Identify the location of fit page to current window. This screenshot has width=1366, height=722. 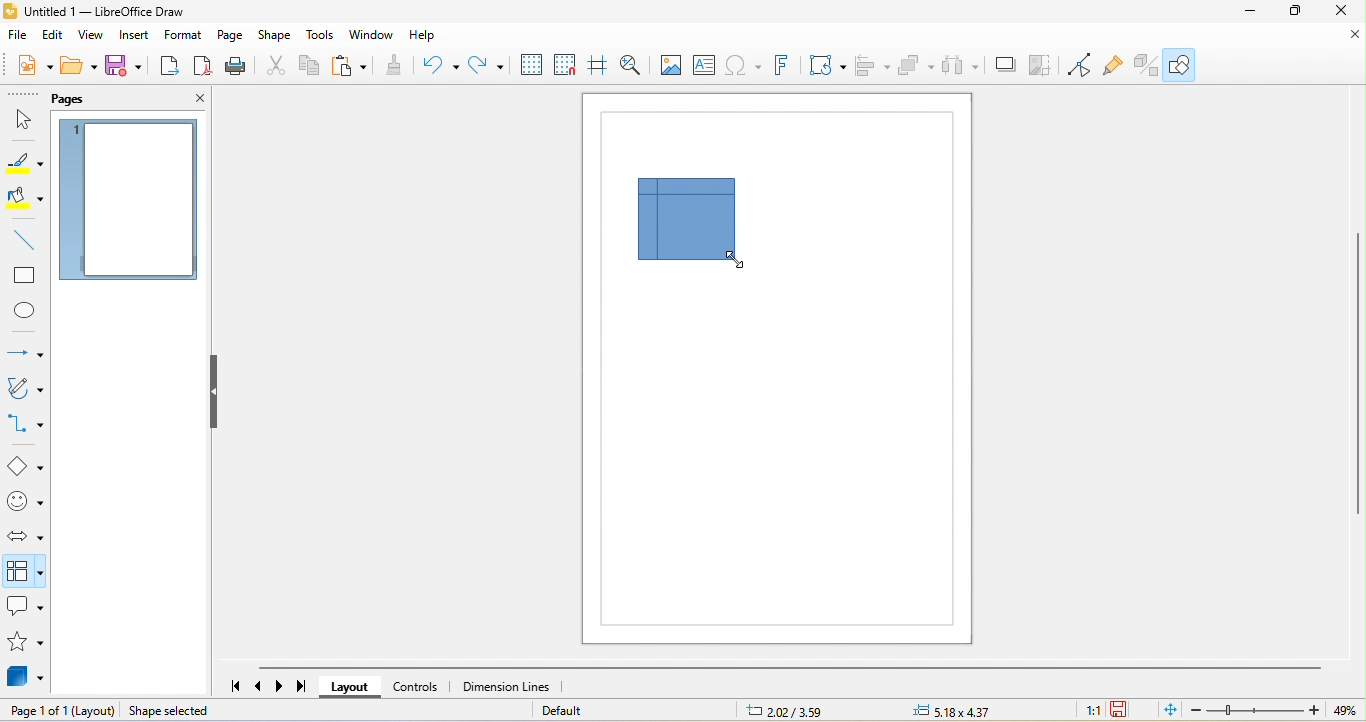
(1165, 709).